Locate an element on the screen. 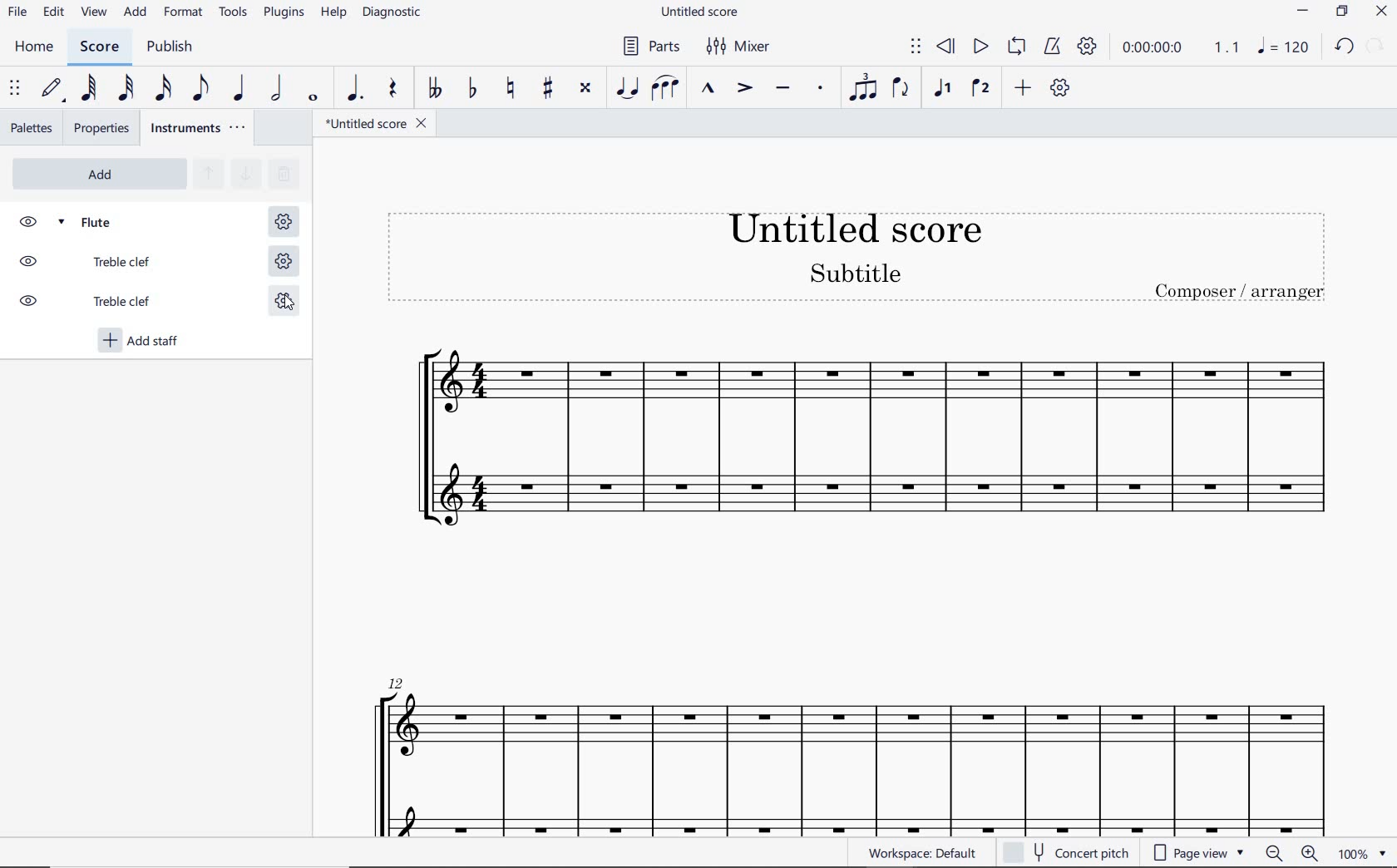 This screenshot has height=868, width=1397. TUPLET is located at coordinates (858, 89).